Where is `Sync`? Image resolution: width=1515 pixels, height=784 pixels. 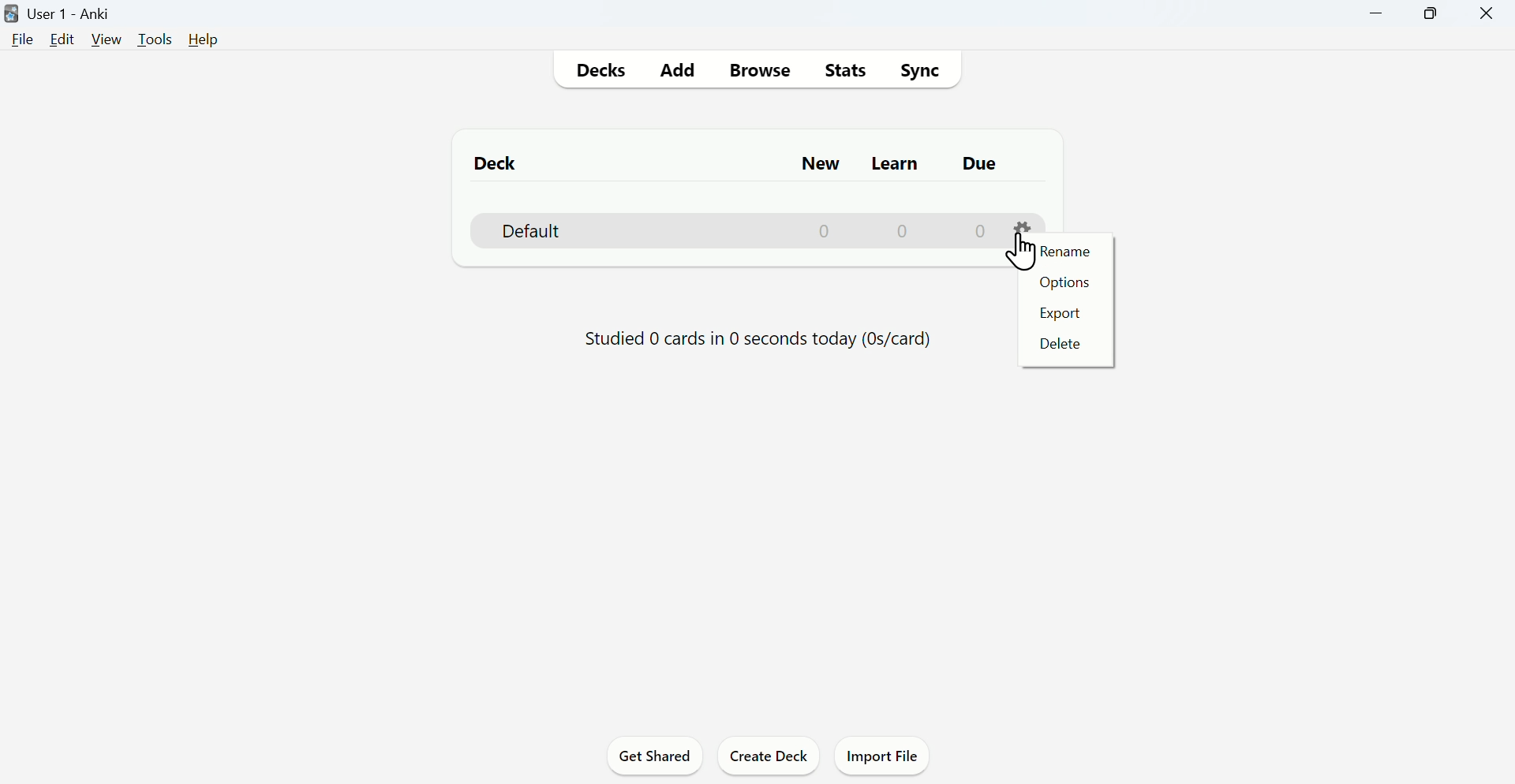
Sync is located at coordinates (919, 70).